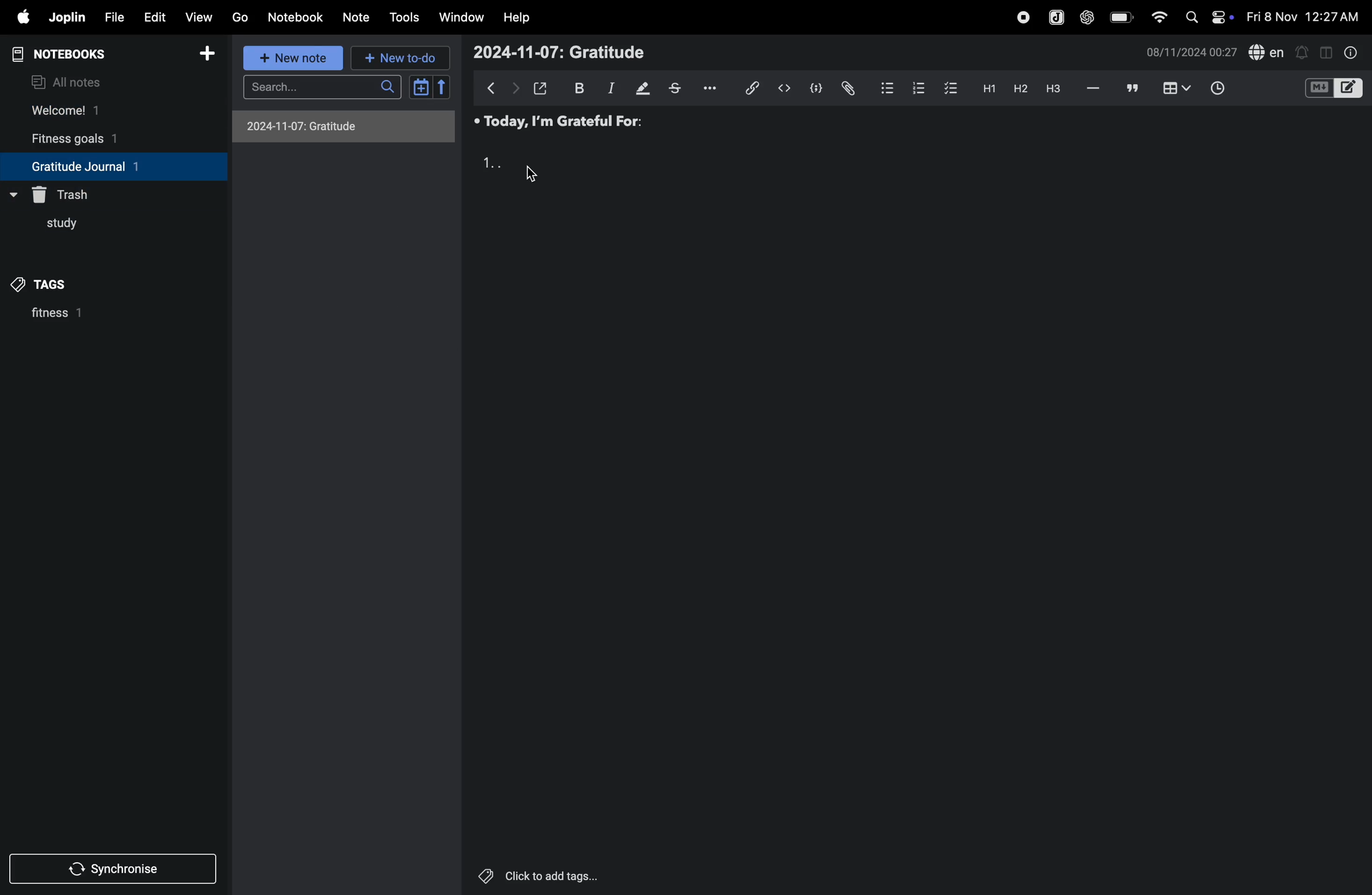  Describe the element at coordinates (533, 873) in the screenshot. I see `click to add tags` at that location.